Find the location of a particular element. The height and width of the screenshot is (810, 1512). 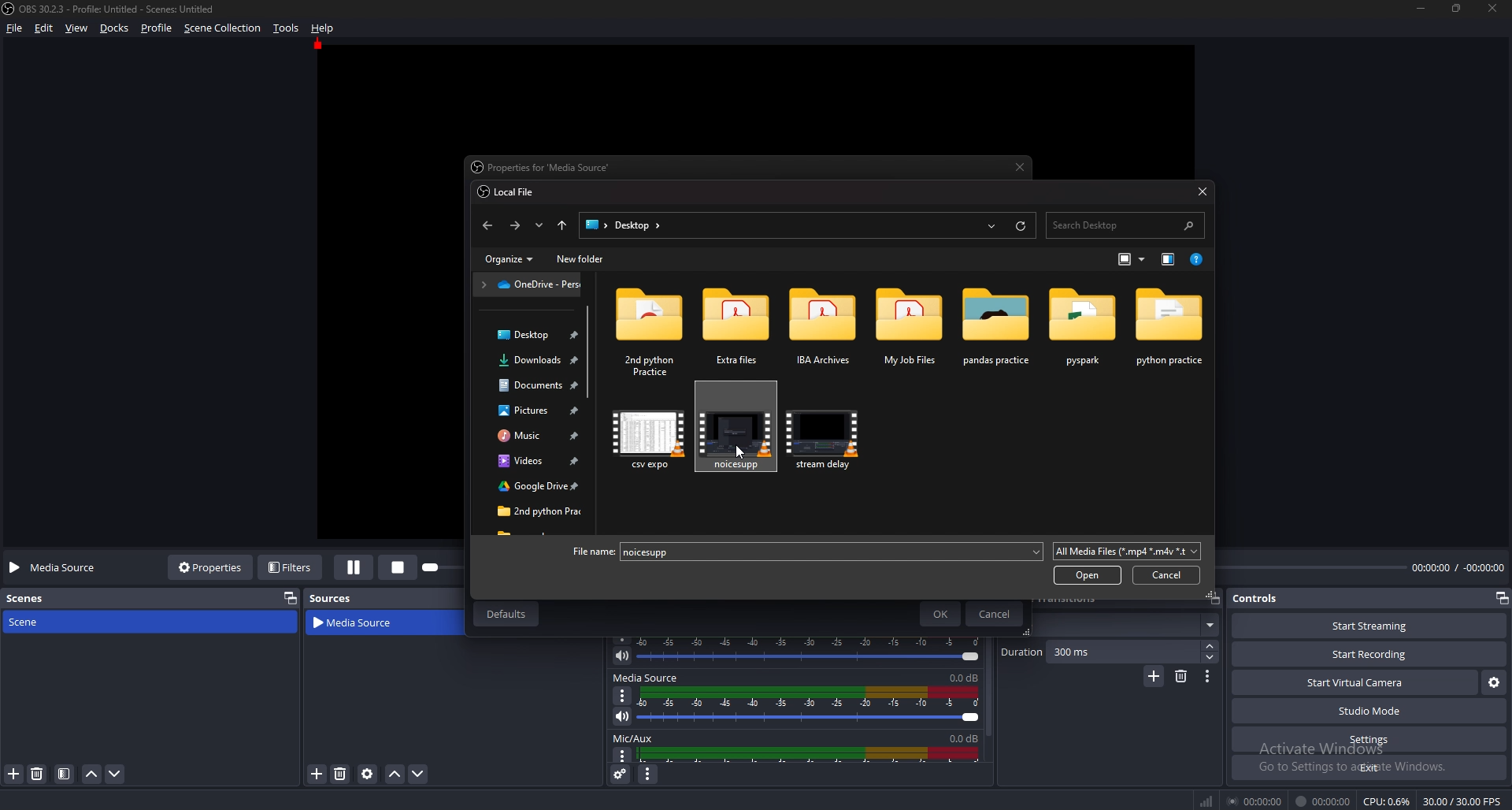

folder is located at coordinates (650, 329).